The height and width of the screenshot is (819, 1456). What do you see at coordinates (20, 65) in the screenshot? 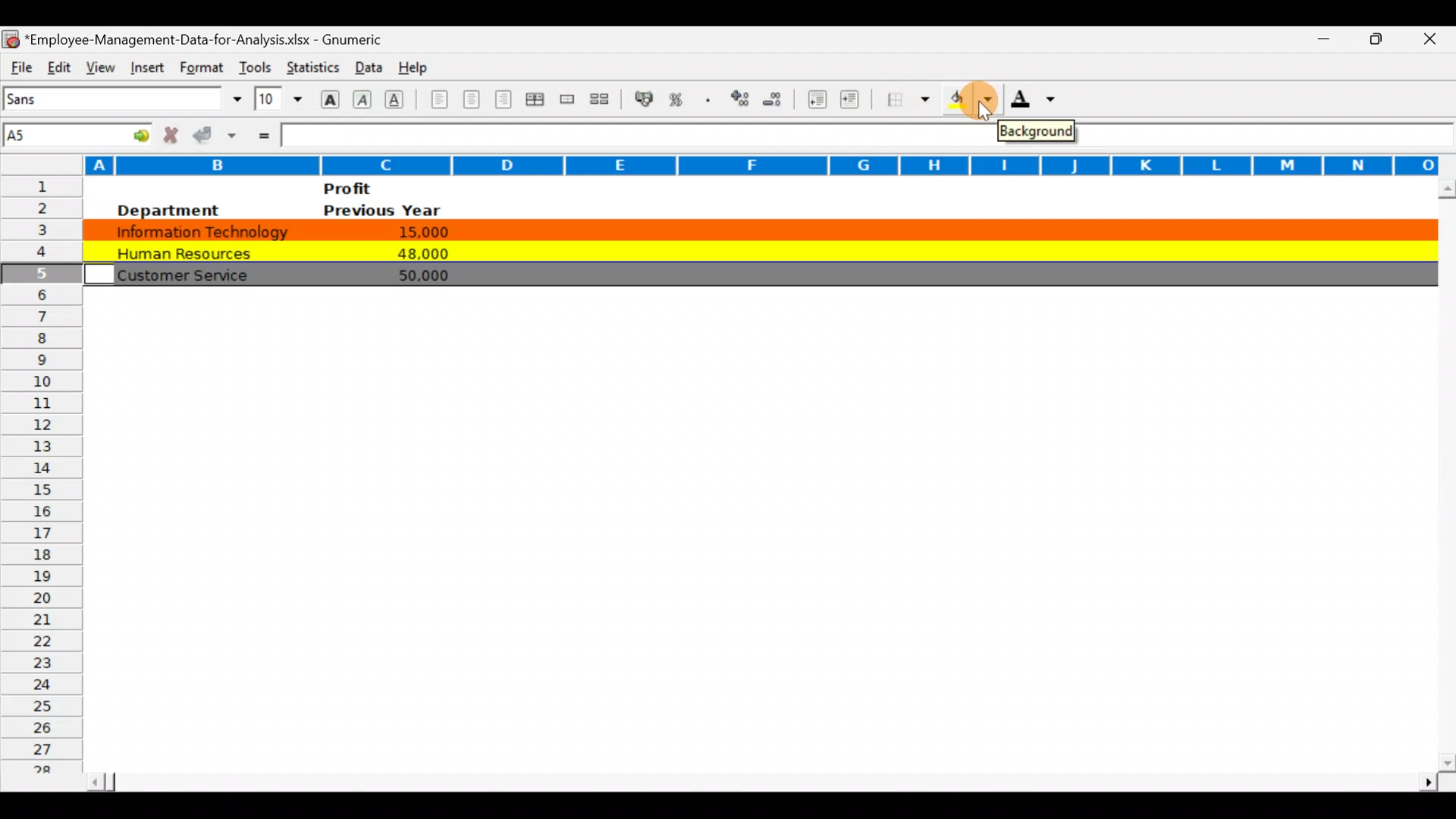
I see `File` at bounding box center [20, 65].